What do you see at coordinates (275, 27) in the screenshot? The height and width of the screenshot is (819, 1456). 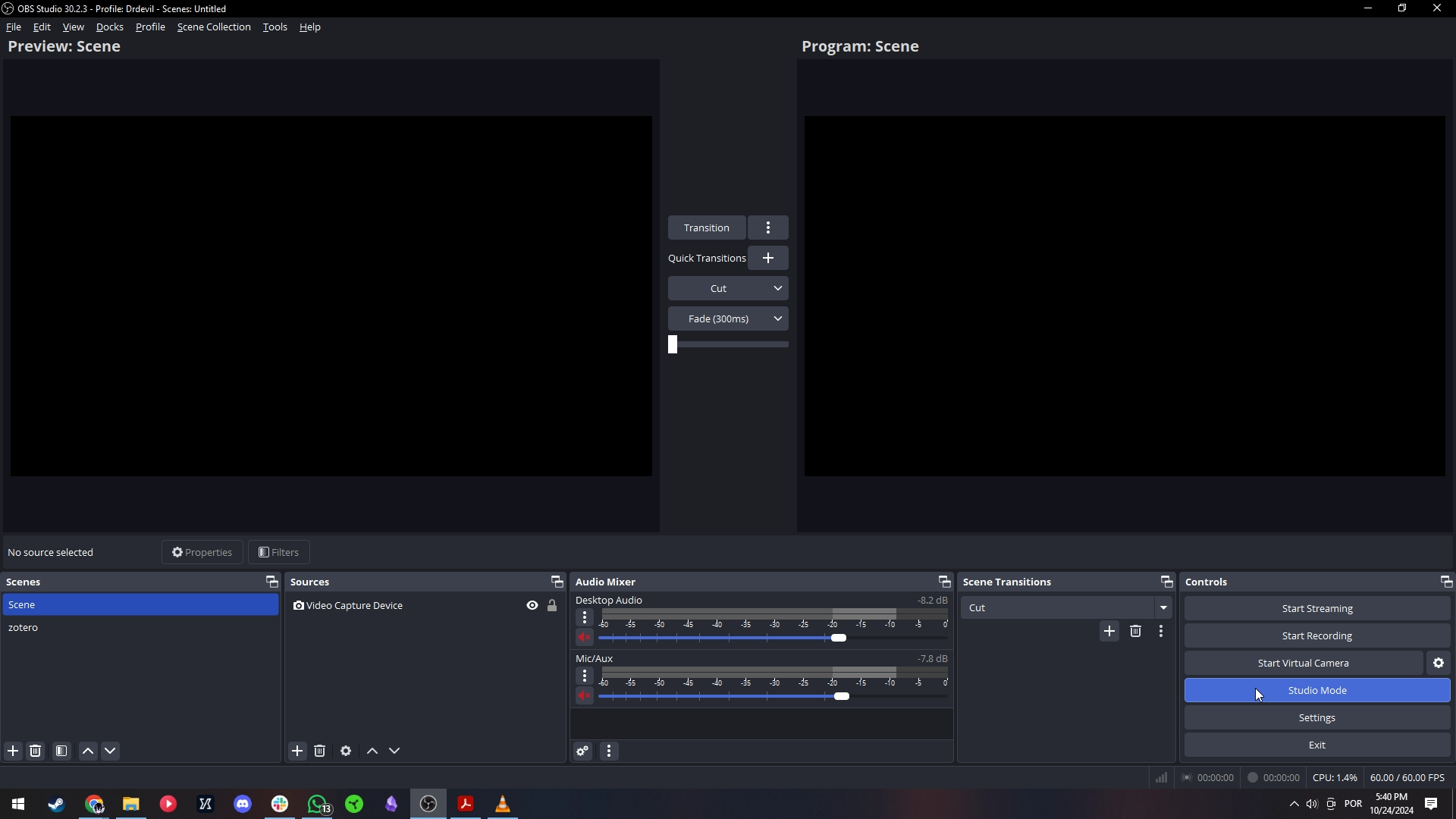 I see `Tools` at bounding box center [275, 27].